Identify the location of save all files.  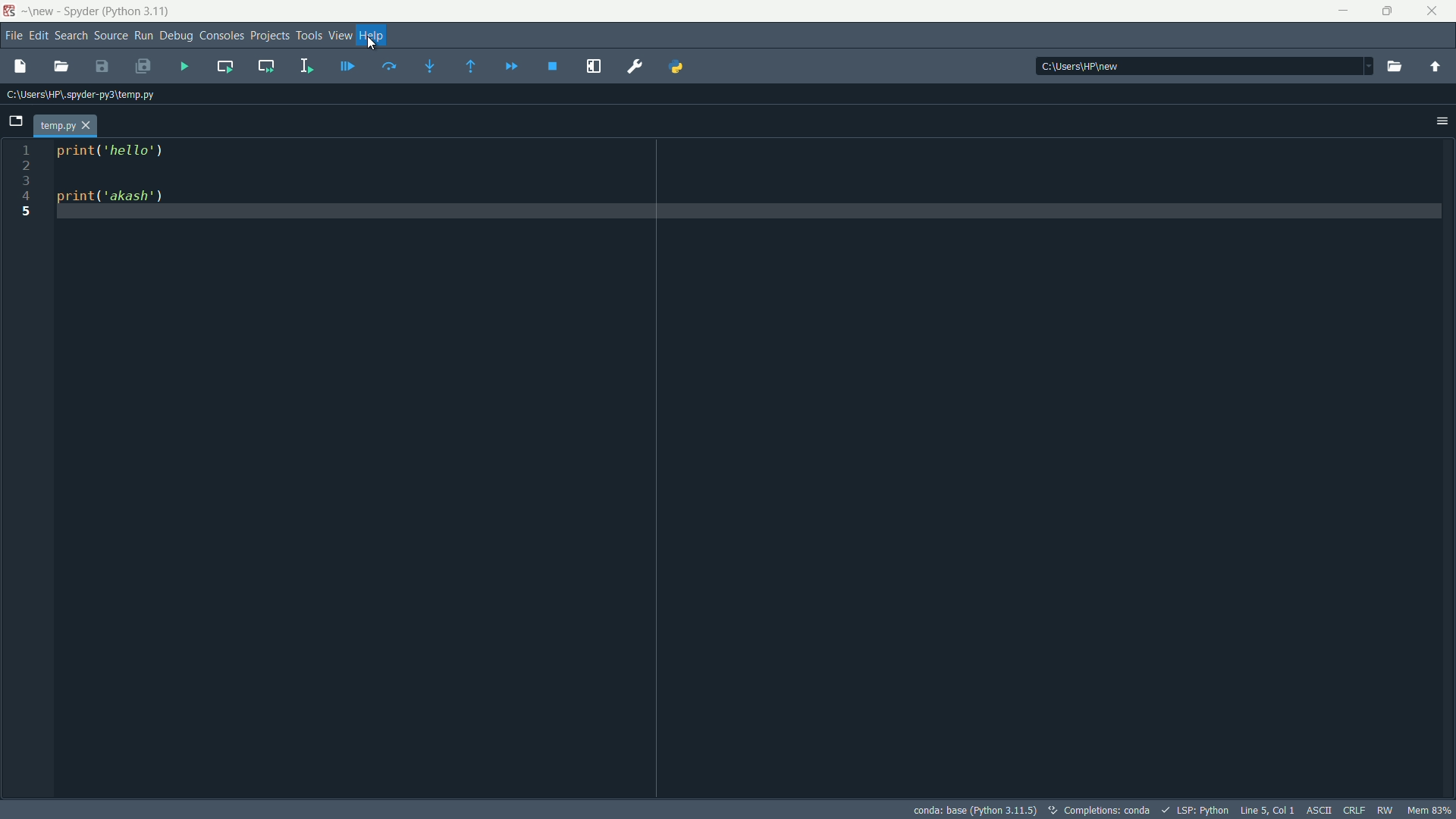
(142, 67).